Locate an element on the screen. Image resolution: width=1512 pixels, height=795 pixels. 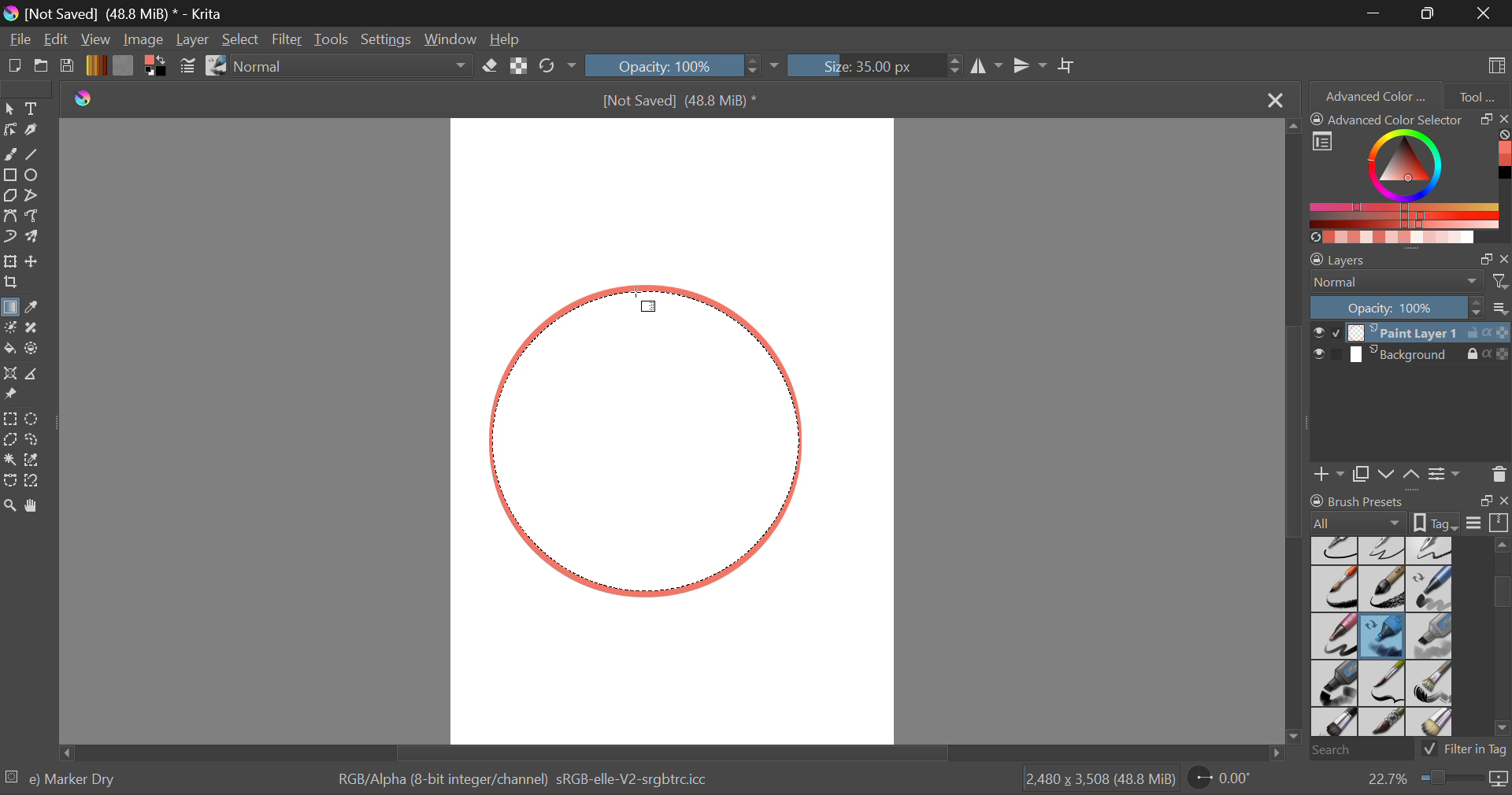
Eyedropper is located at coordinates (36, 308).